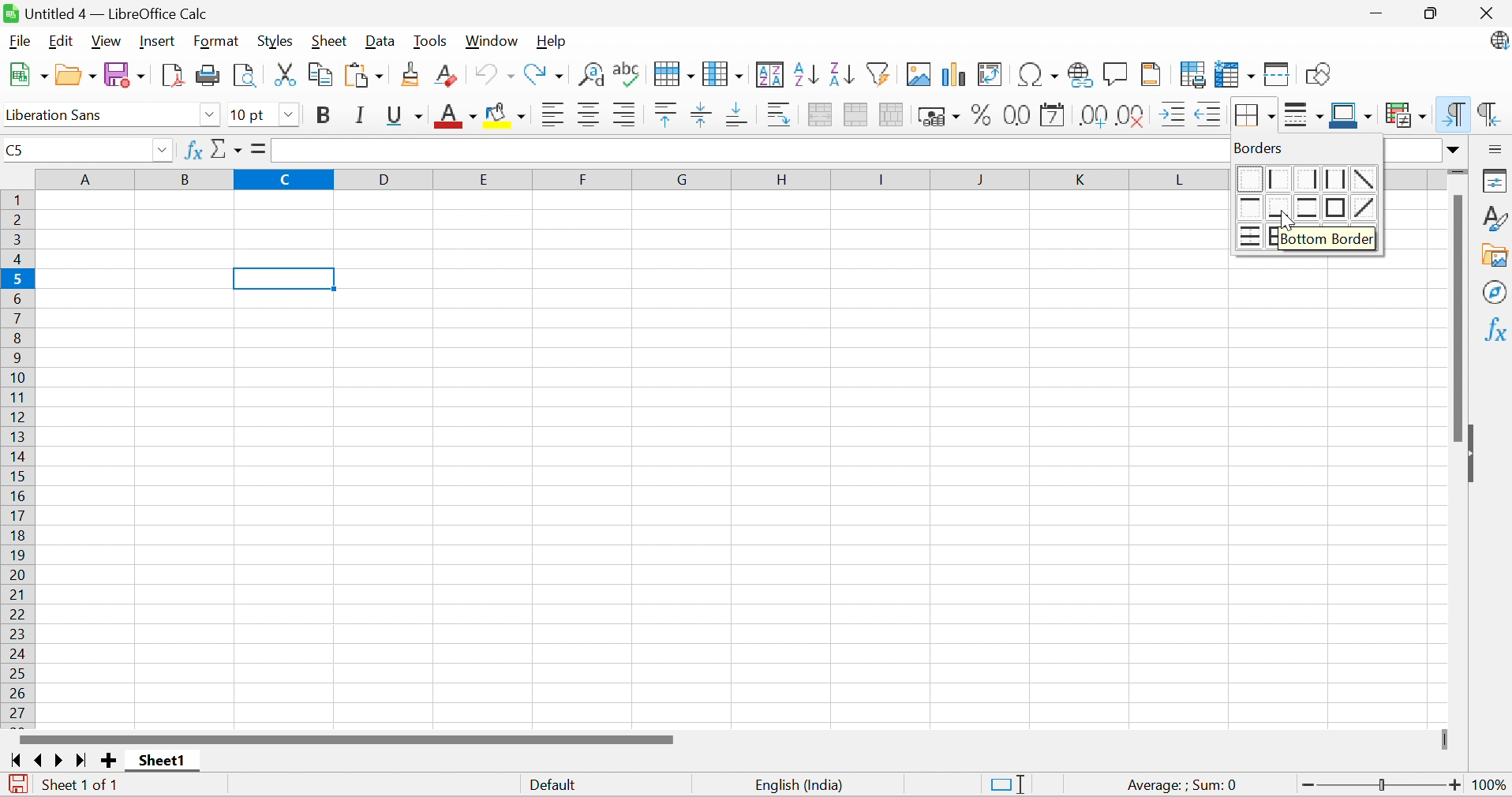 Image resolution: width=1512 pixels, height=797 pixels. I want to click on Format as percent, so click(982, 118).